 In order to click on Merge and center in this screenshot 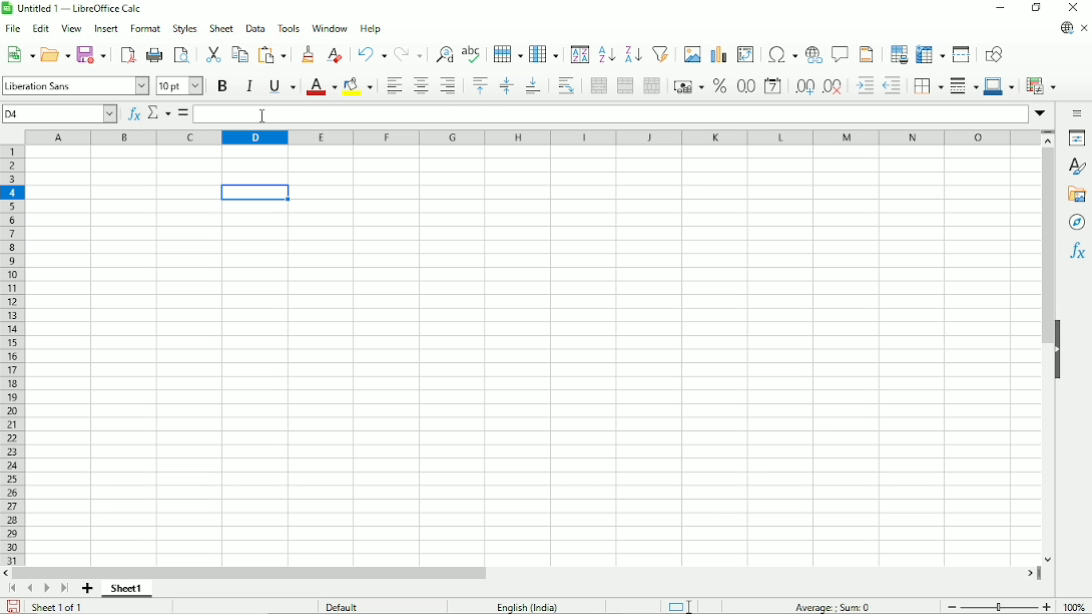, I will do `click(599, 85)`.